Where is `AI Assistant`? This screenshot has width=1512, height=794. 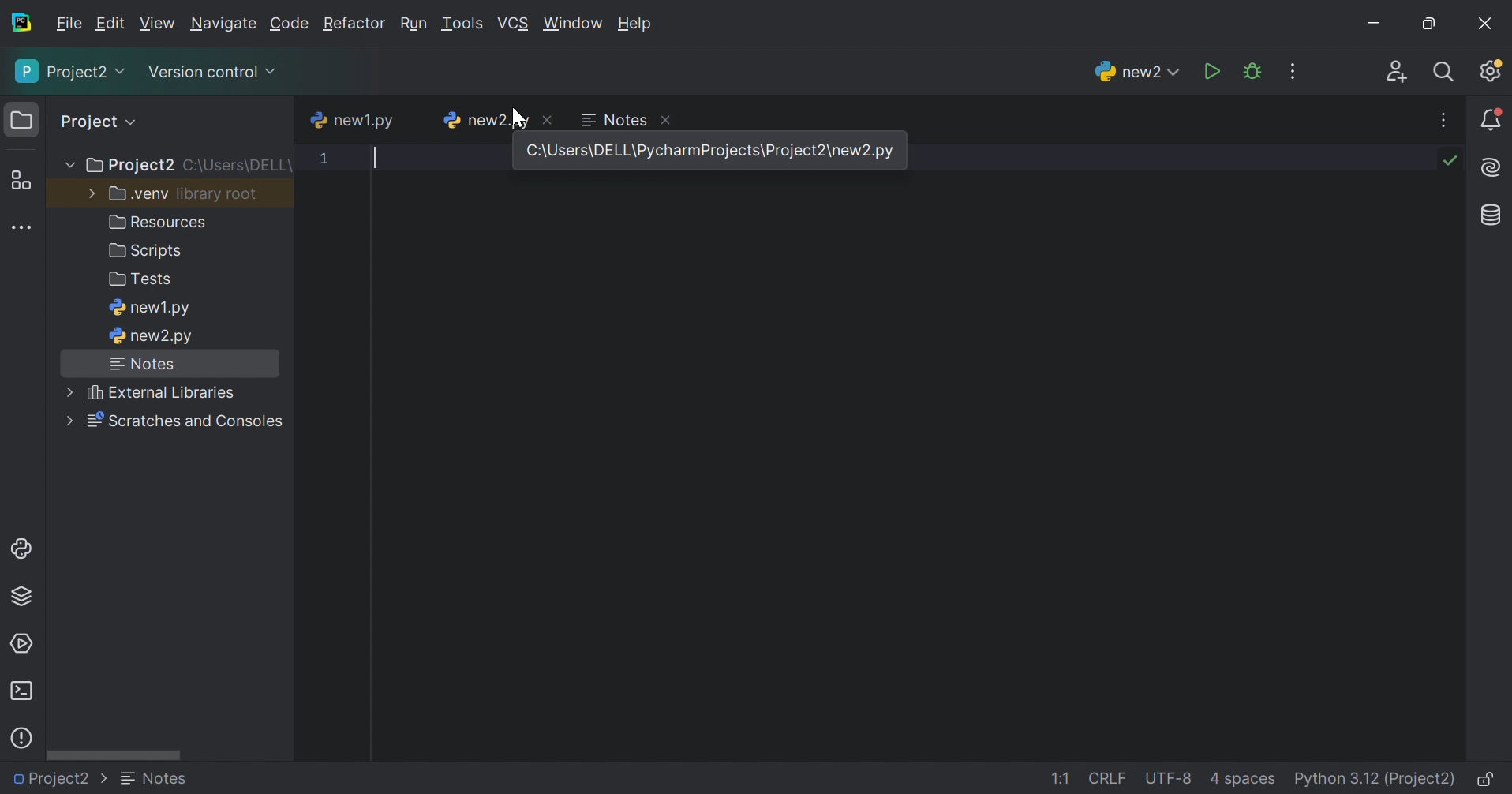
AI Assistant is located at coordinates (1493, 169).